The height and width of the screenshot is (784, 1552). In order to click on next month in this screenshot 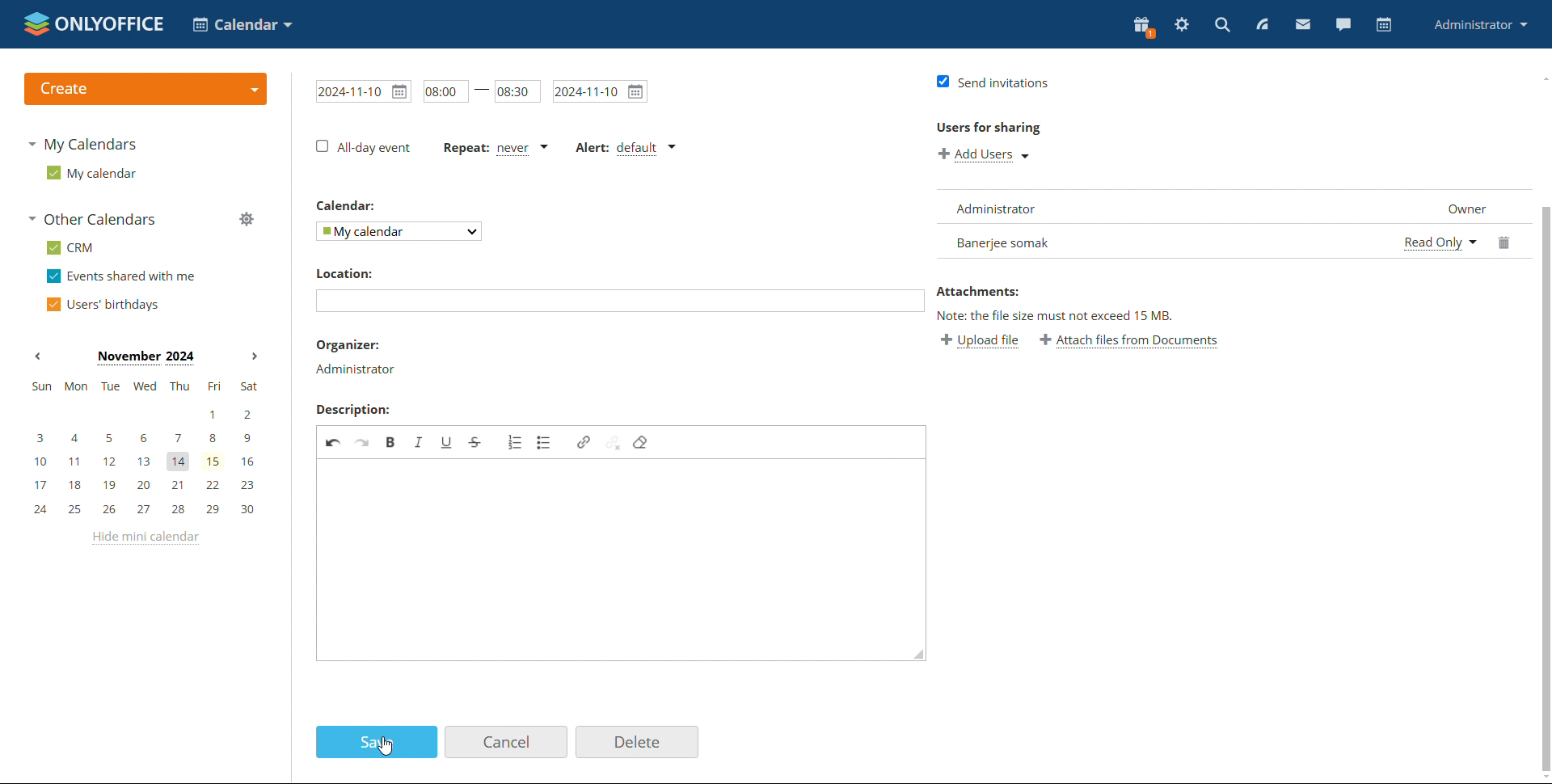, I will do `click(252, 357)`.